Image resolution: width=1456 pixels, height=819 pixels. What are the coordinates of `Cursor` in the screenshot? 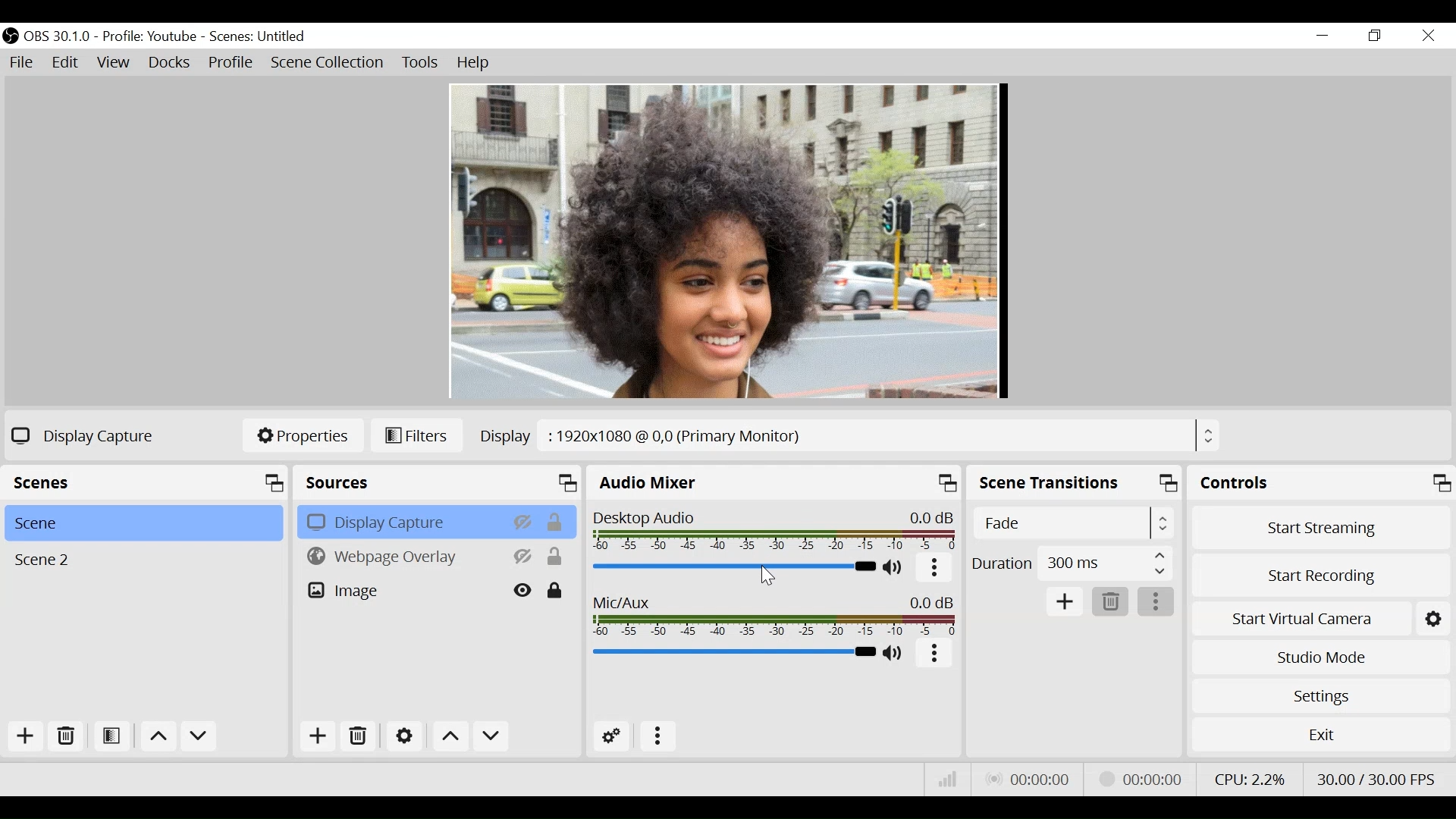 It's located at (767, 576).